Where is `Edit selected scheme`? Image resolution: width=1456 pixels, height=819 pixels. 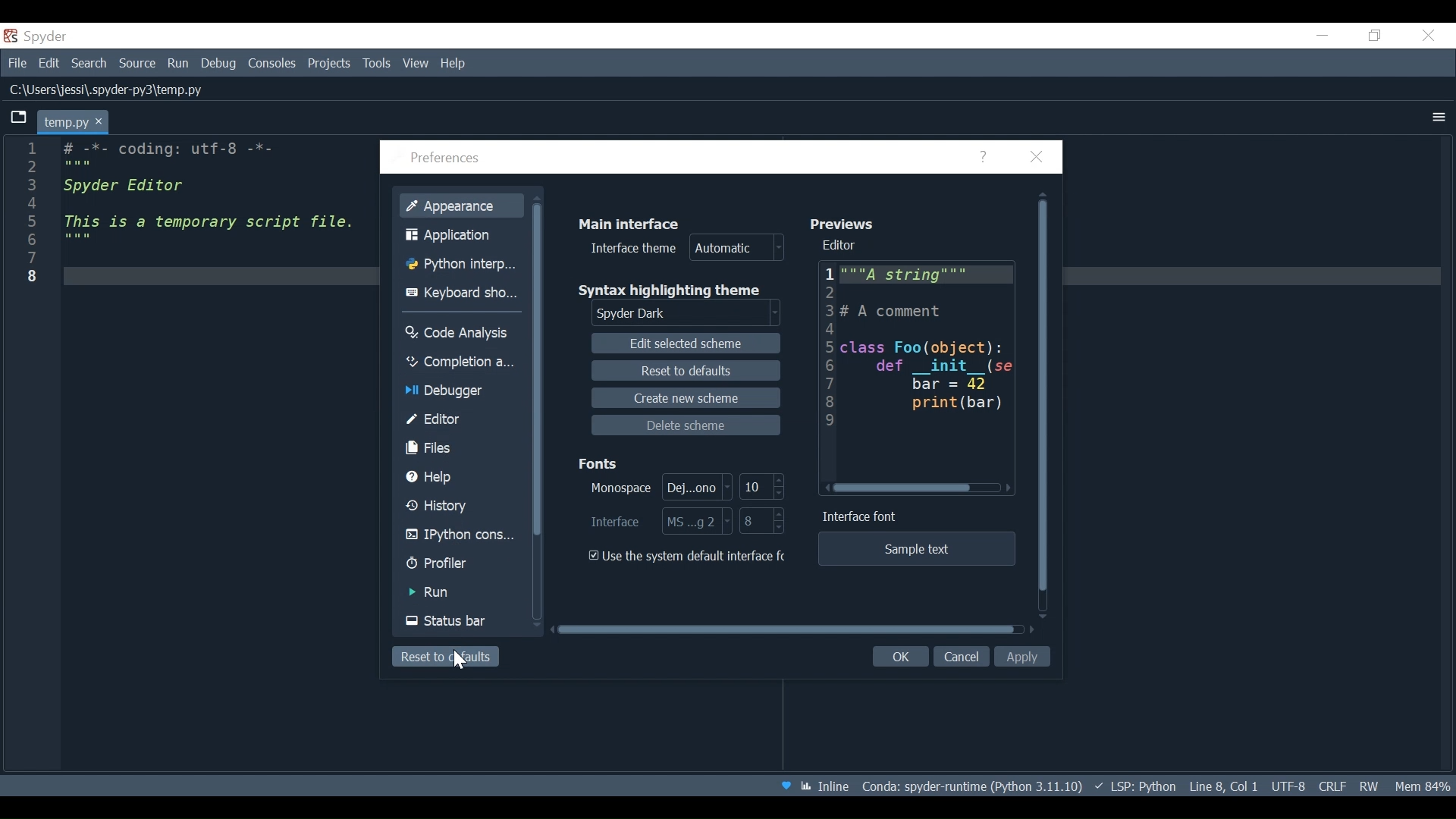 Edit selected scheme is located at coordinates (689, 344).